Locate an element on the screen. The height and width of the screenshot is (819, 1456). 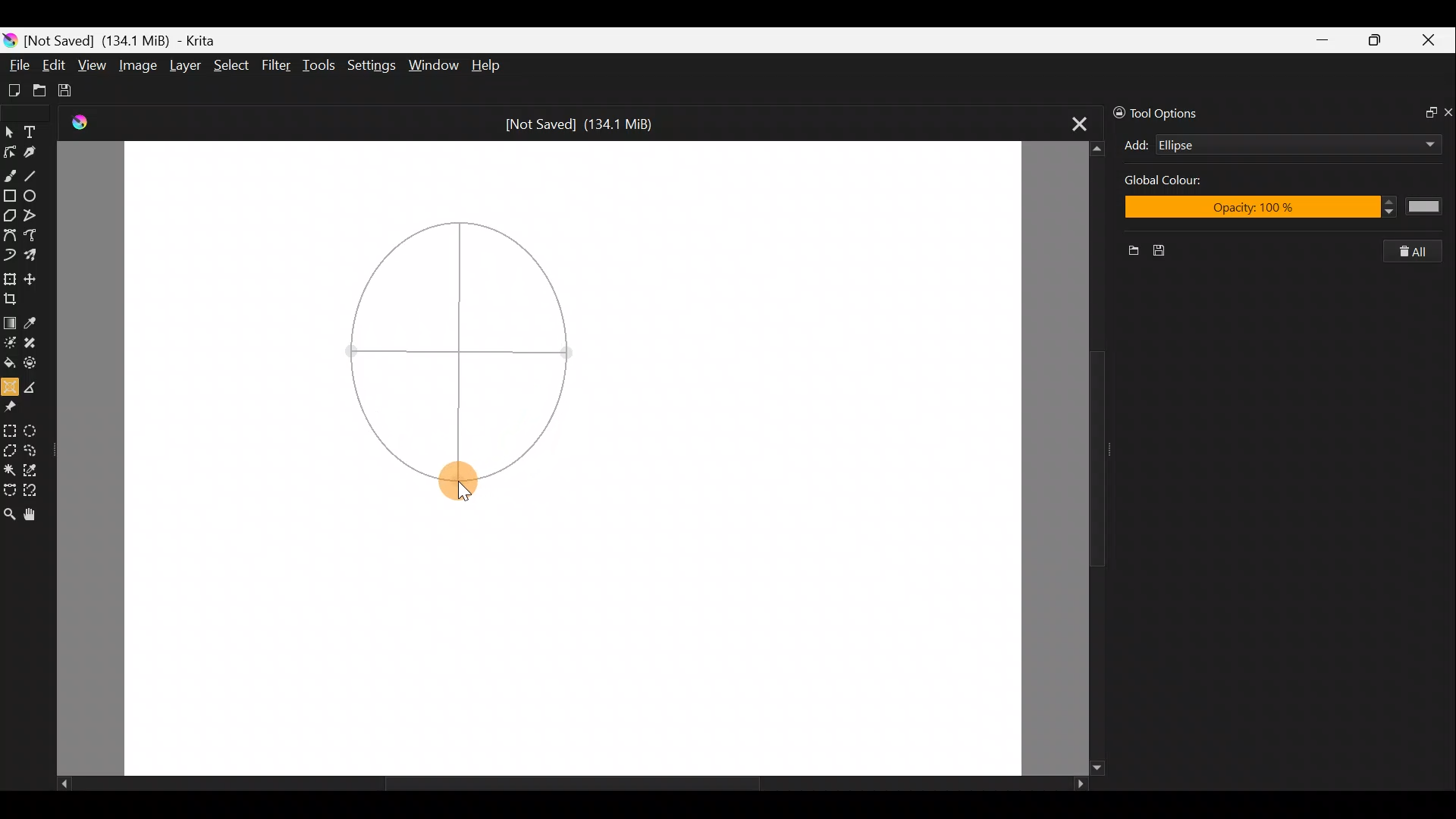
Opacity: 100% is located at coordinates (1285, 209).